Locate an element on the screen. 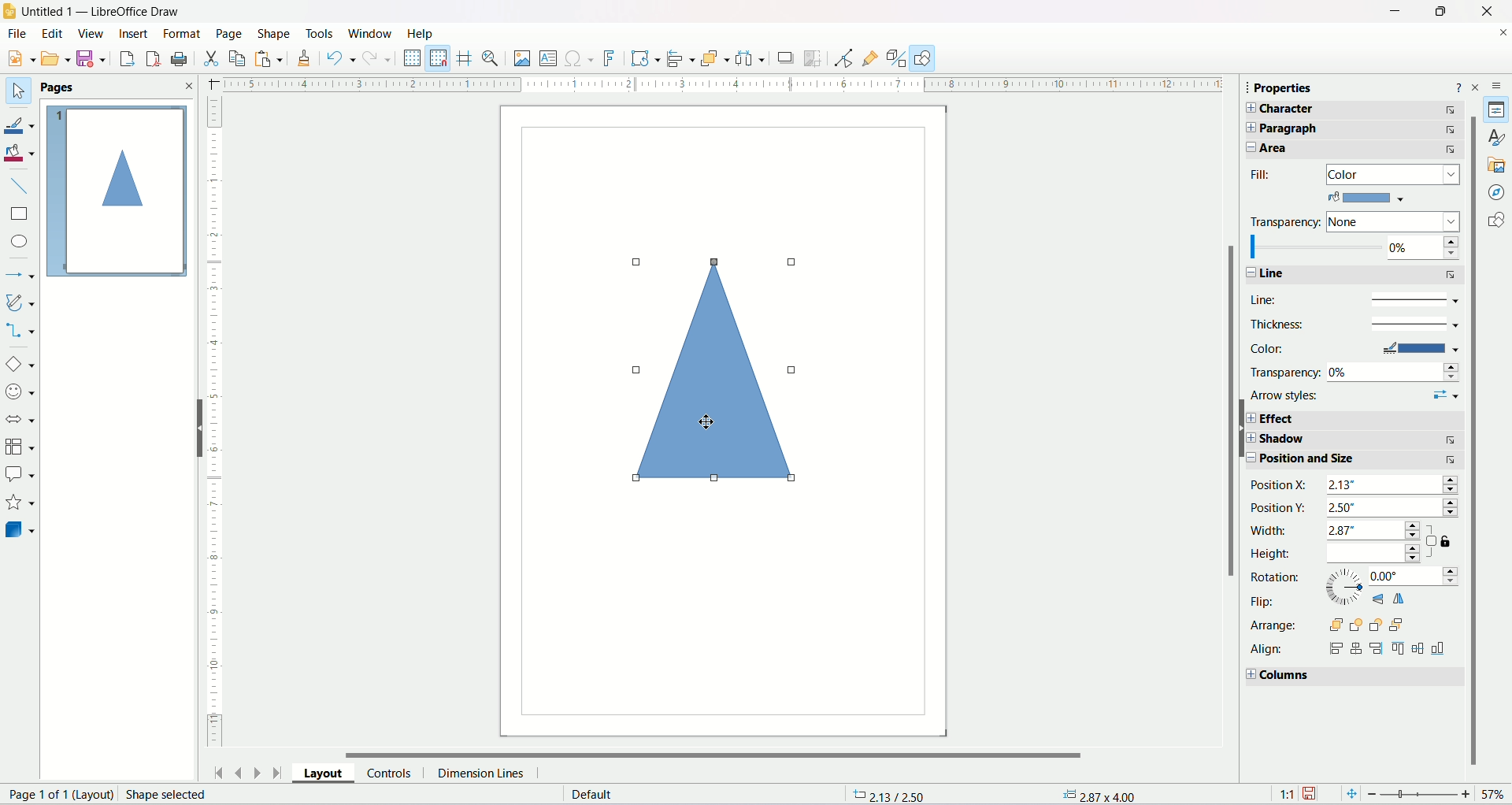  Shape is located at coordinates (274, 34).